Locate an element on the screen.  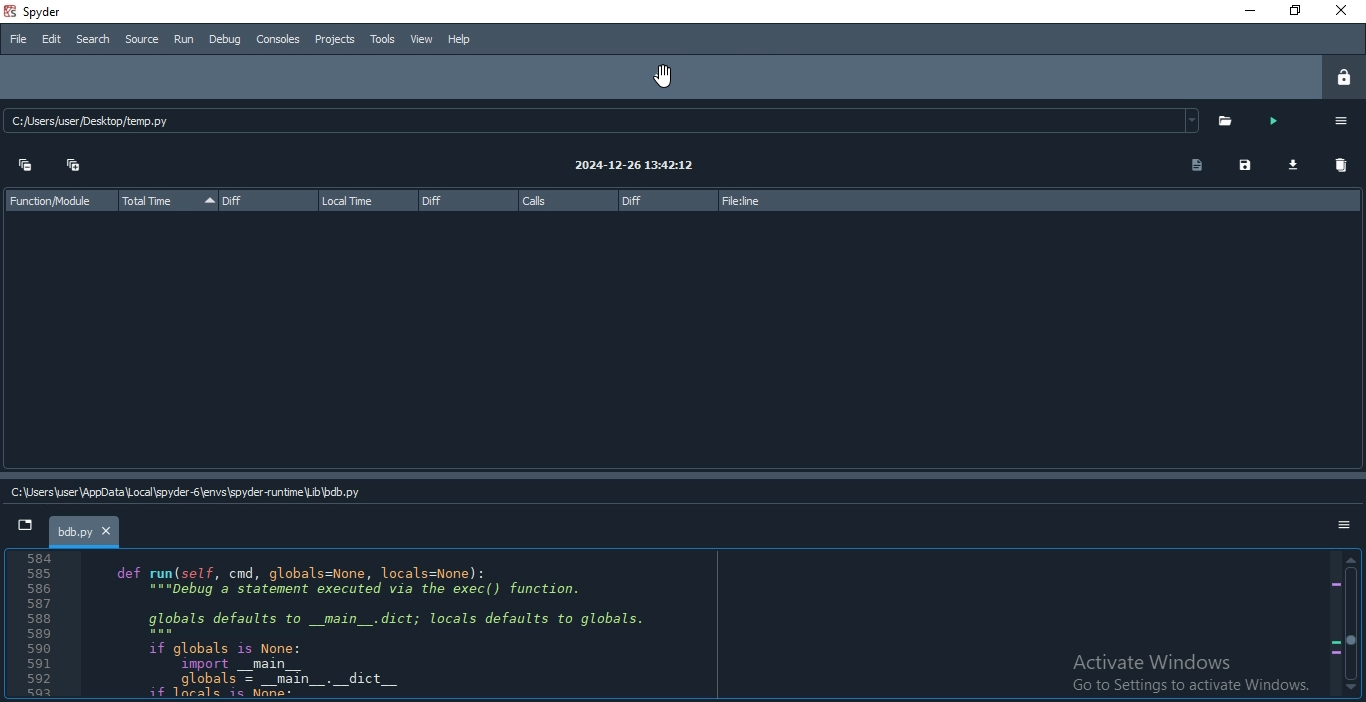
Close is located at coordinates (1345, 11).